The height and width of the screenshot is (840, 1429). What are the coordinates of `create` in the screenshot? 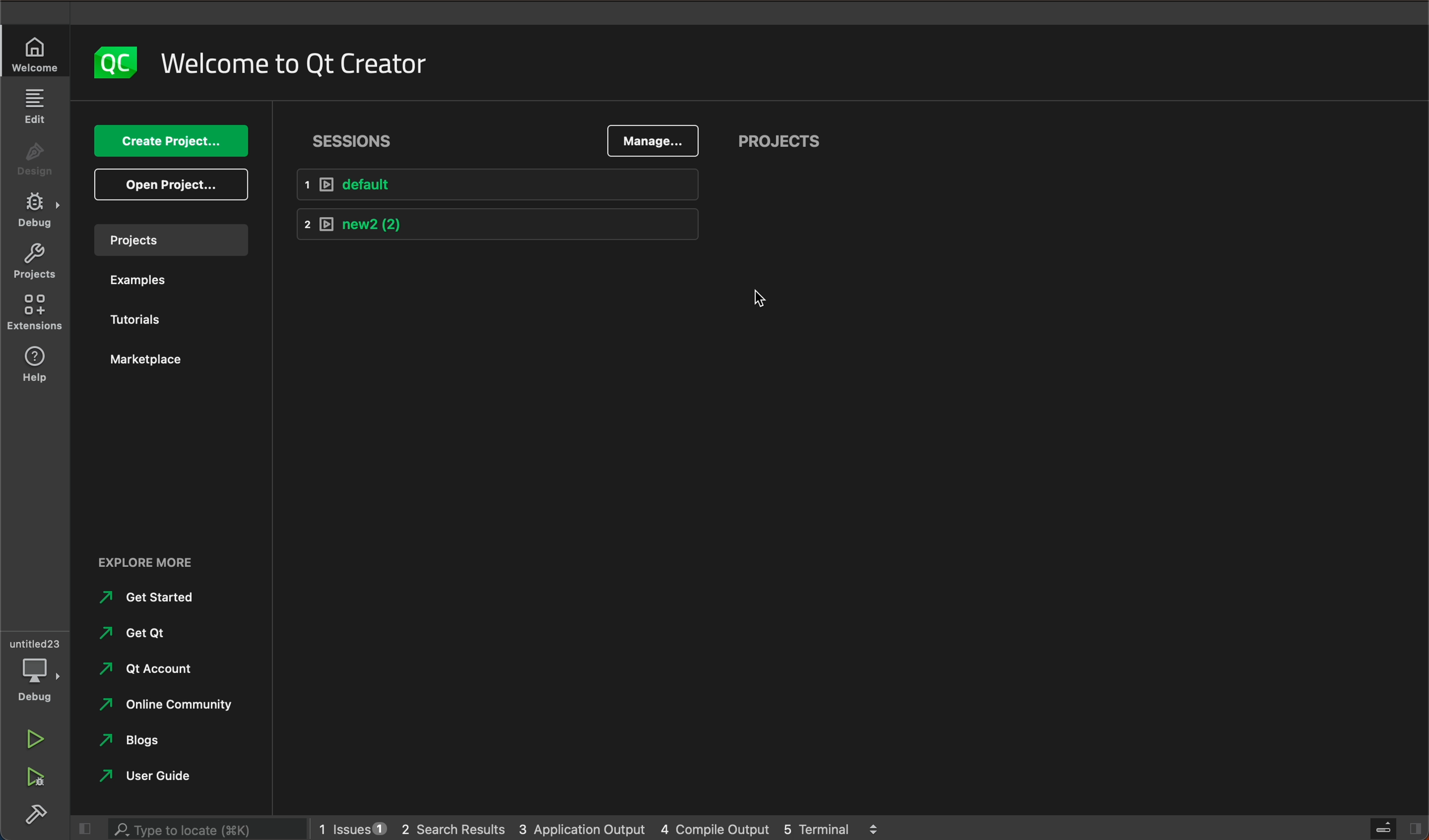 It's located at (172, 140).